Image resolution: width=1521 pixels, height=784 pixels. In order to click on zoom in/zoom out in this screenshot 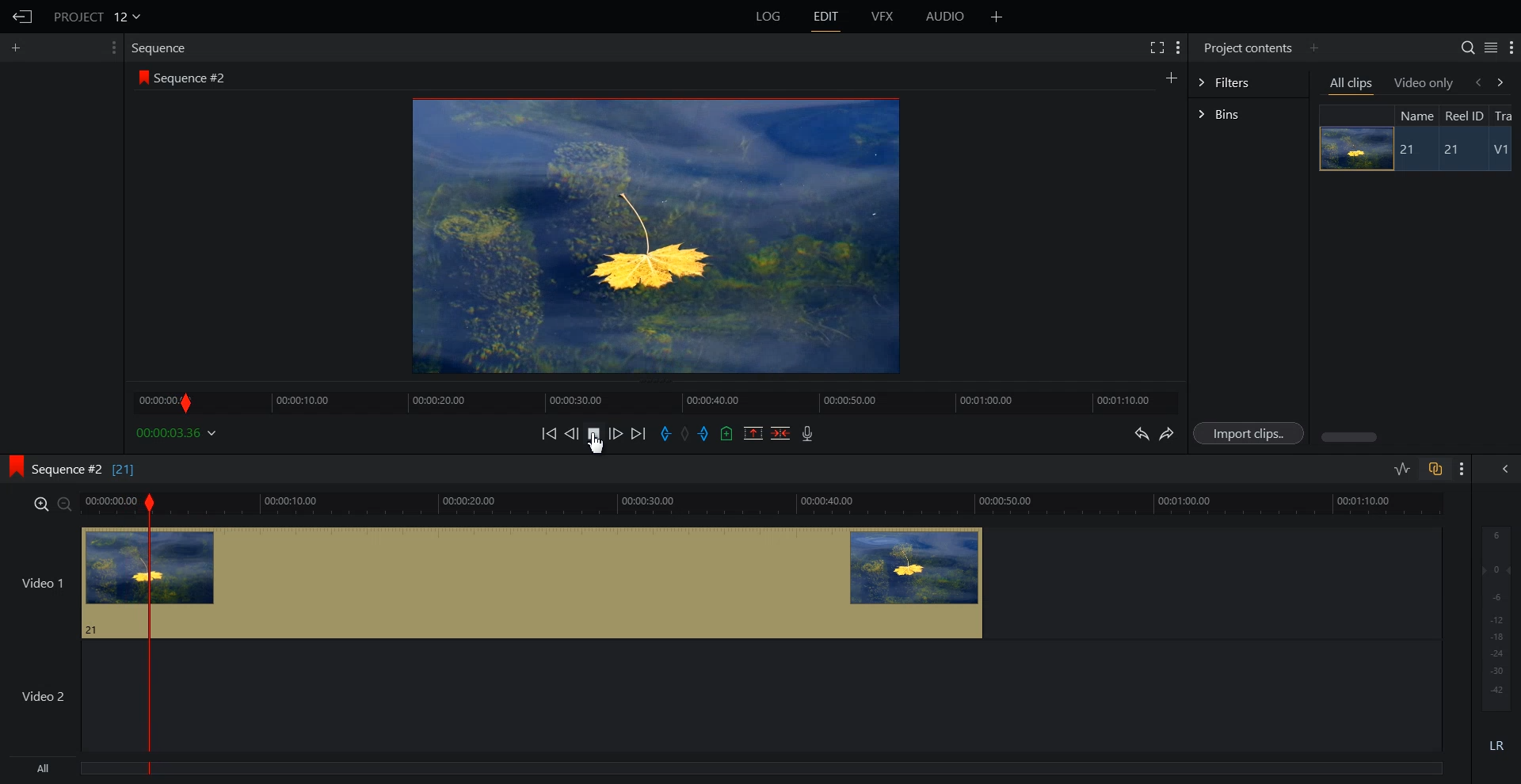, I will do `click(49, 503)`.